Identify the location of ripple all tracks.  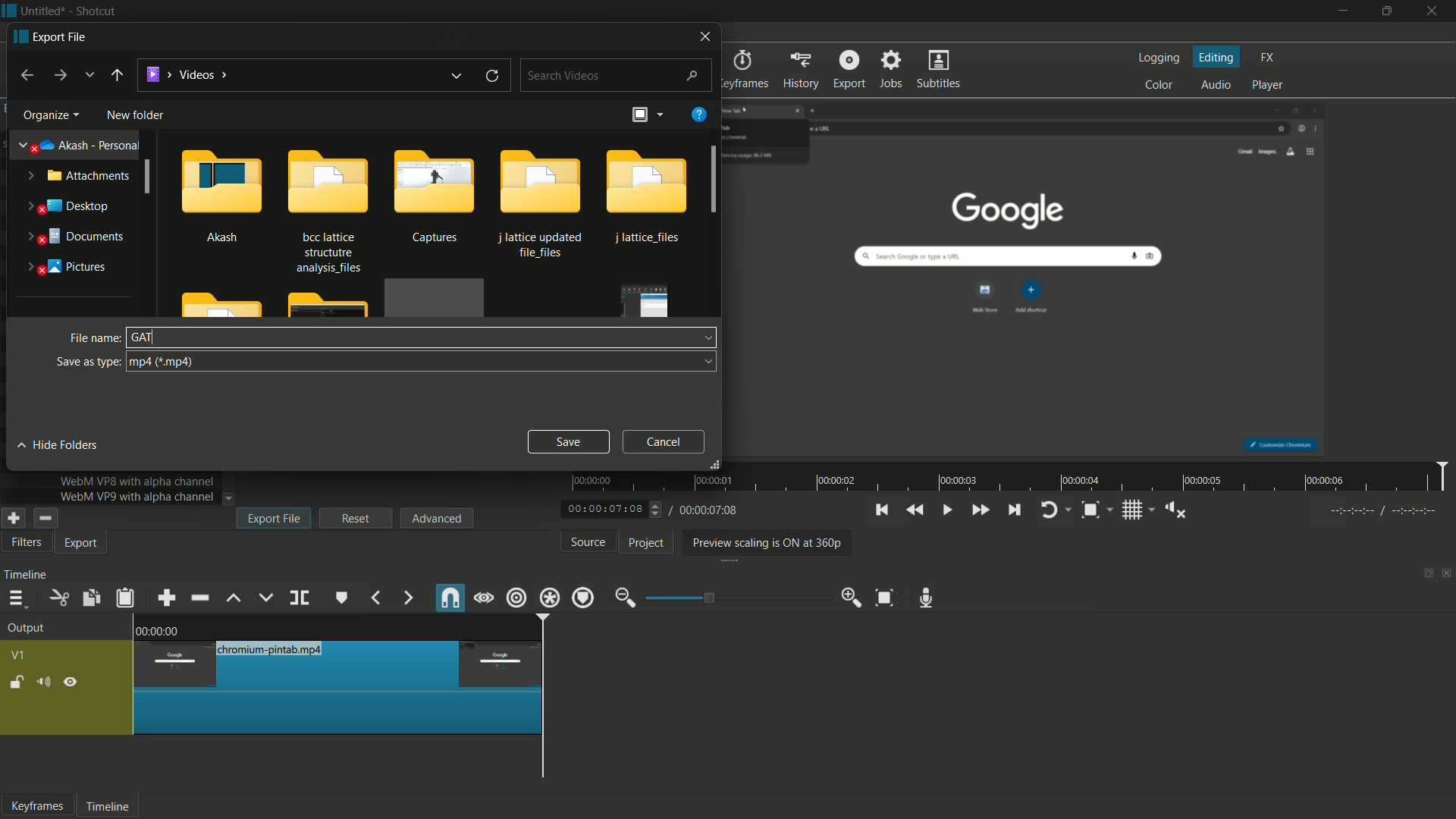
(548, 598).